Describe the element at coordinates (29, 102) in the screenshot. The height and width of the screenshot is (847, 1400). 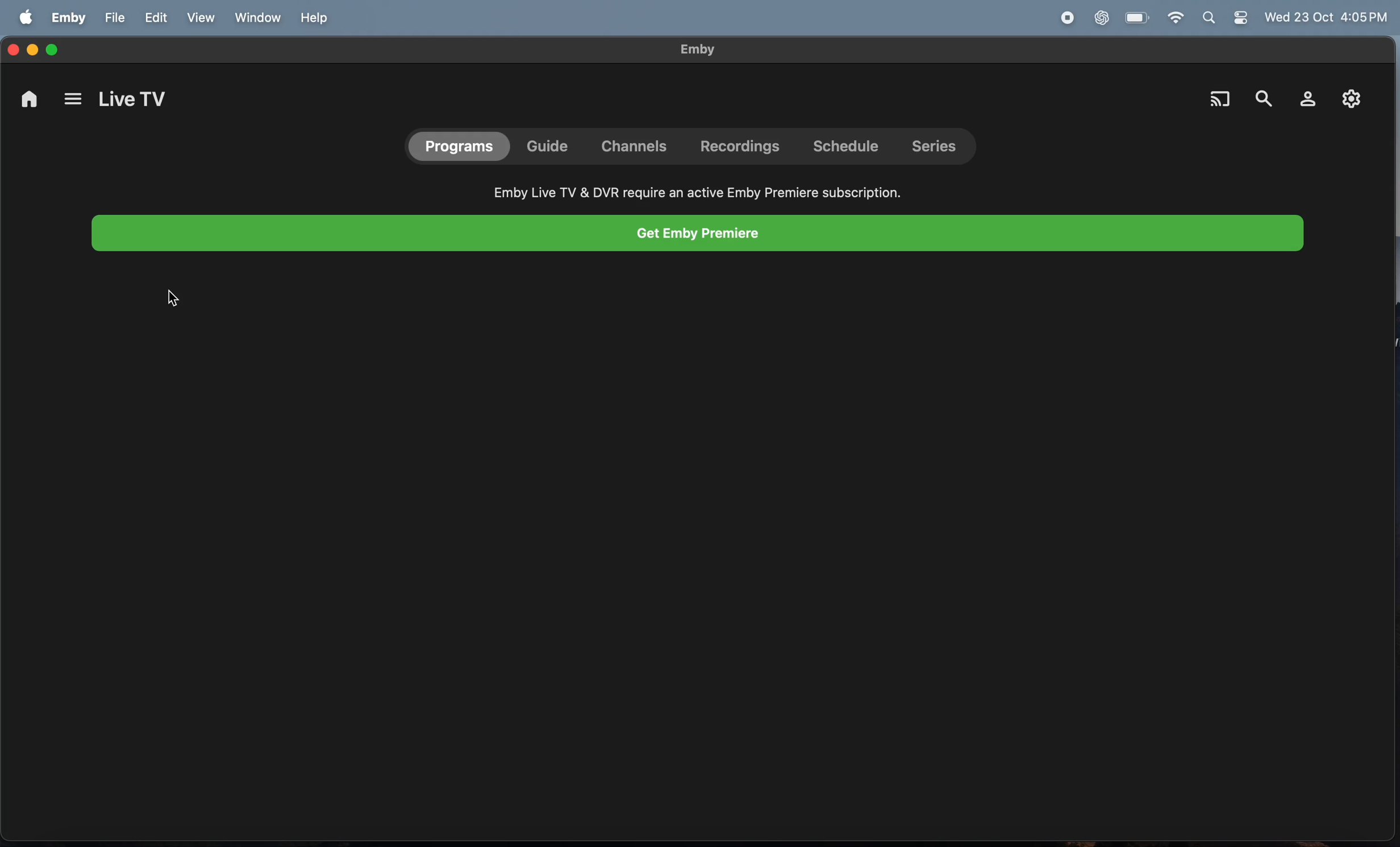
I see `home` at that location.